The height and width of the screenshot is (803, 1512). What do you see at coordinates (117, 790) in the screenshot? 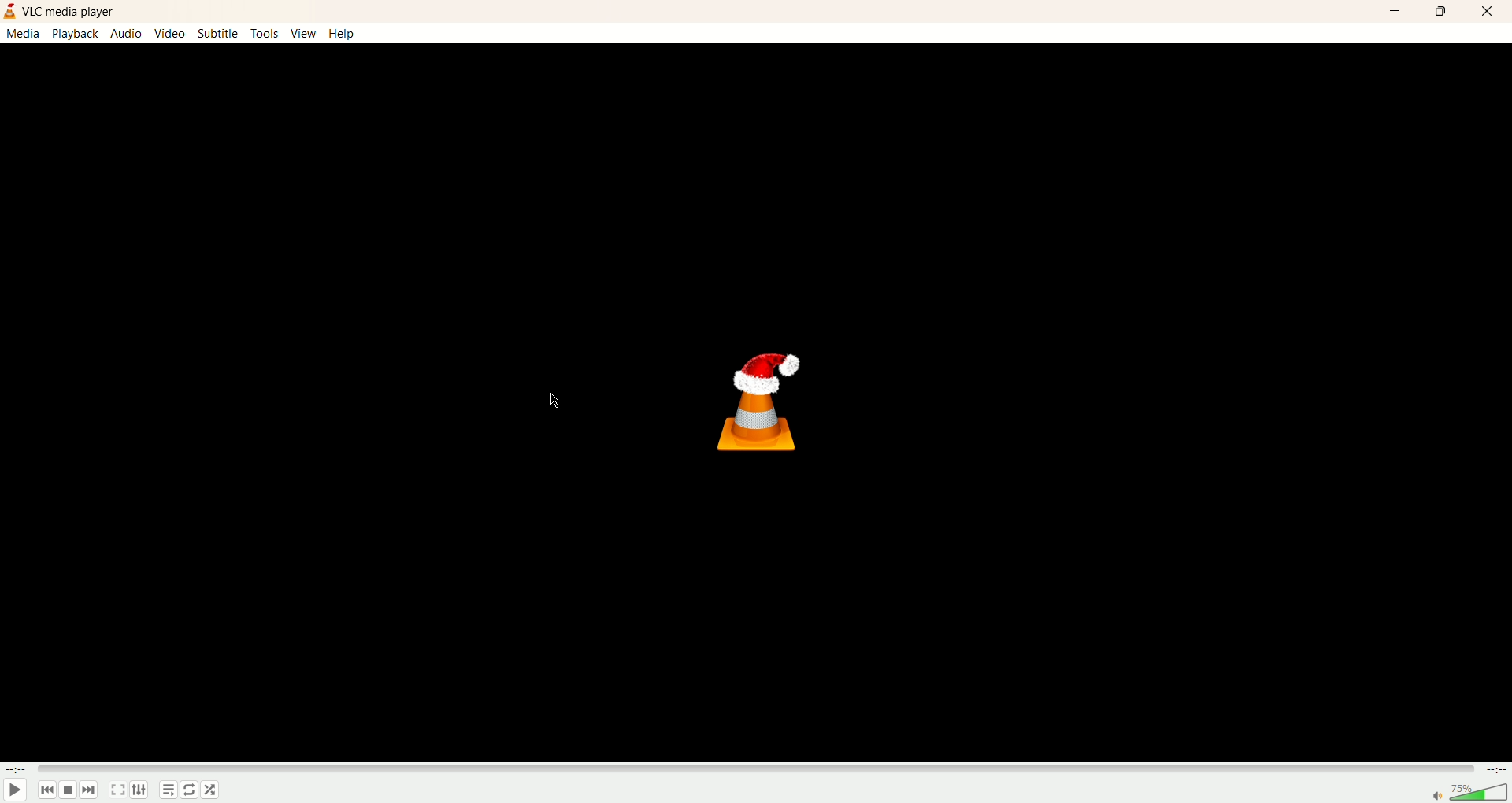
I see `fullscreen` at bounding box center [117, 790].